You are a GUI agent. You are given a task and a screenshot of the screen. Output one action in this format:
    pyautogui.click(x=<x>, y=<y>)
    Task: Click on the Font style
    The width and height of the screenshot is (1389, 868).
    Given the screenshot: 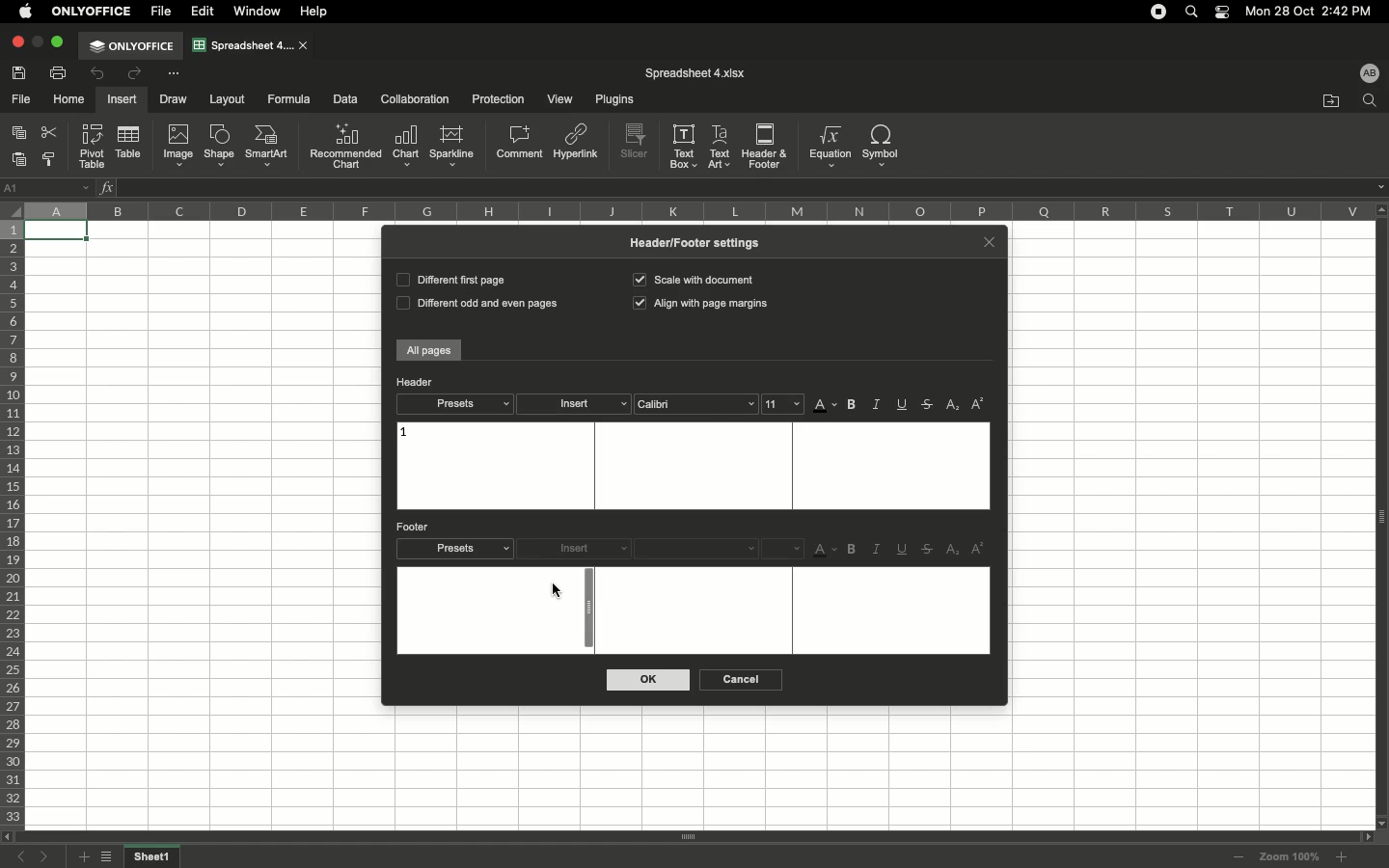 What is the action you would take?
    pyautogui.click(x=698, y=548)
    